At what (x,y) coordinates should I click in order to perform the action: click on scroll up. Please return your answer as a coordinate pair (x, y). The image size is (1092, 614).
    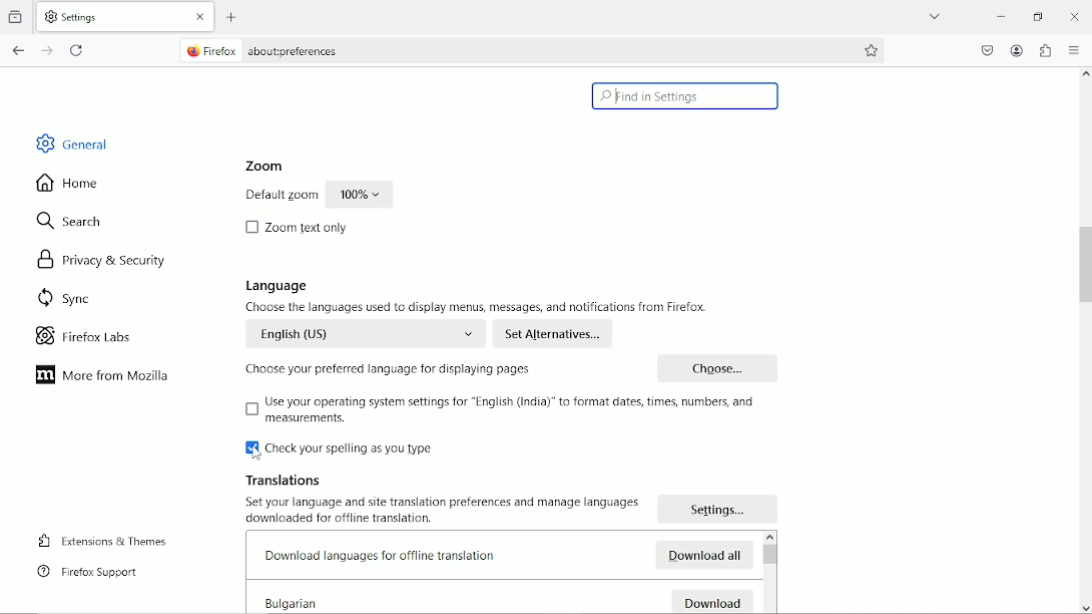
    Looking at the image, I should click on (1085, 75).